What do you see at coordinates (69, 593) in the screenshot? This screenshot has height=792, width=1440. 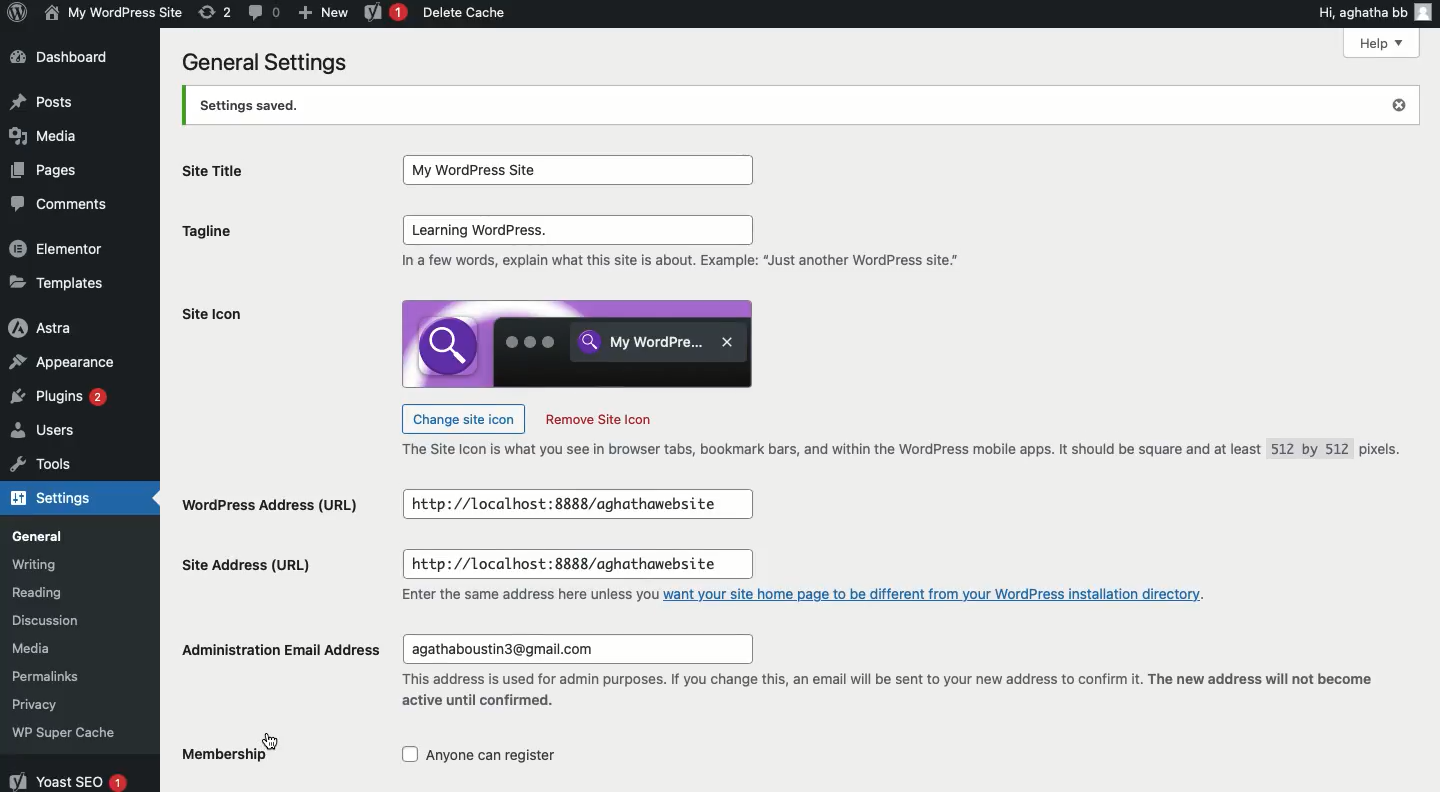 I see `Reading` at bounding box center [69, 593].